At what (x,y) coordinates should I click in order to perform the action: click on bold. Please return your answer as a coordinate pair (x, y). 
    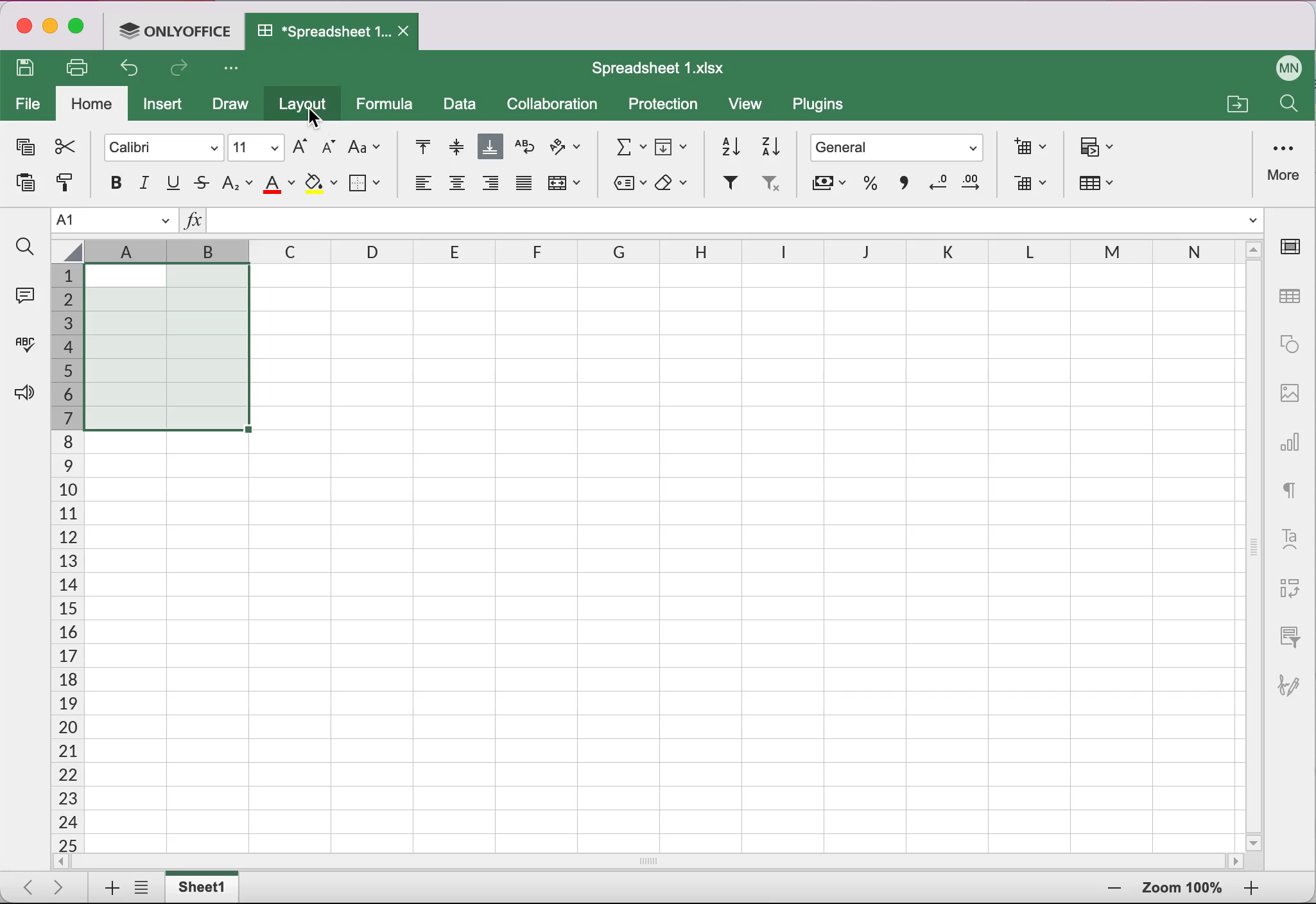
    Looking at the image, I should click on (109, 182).